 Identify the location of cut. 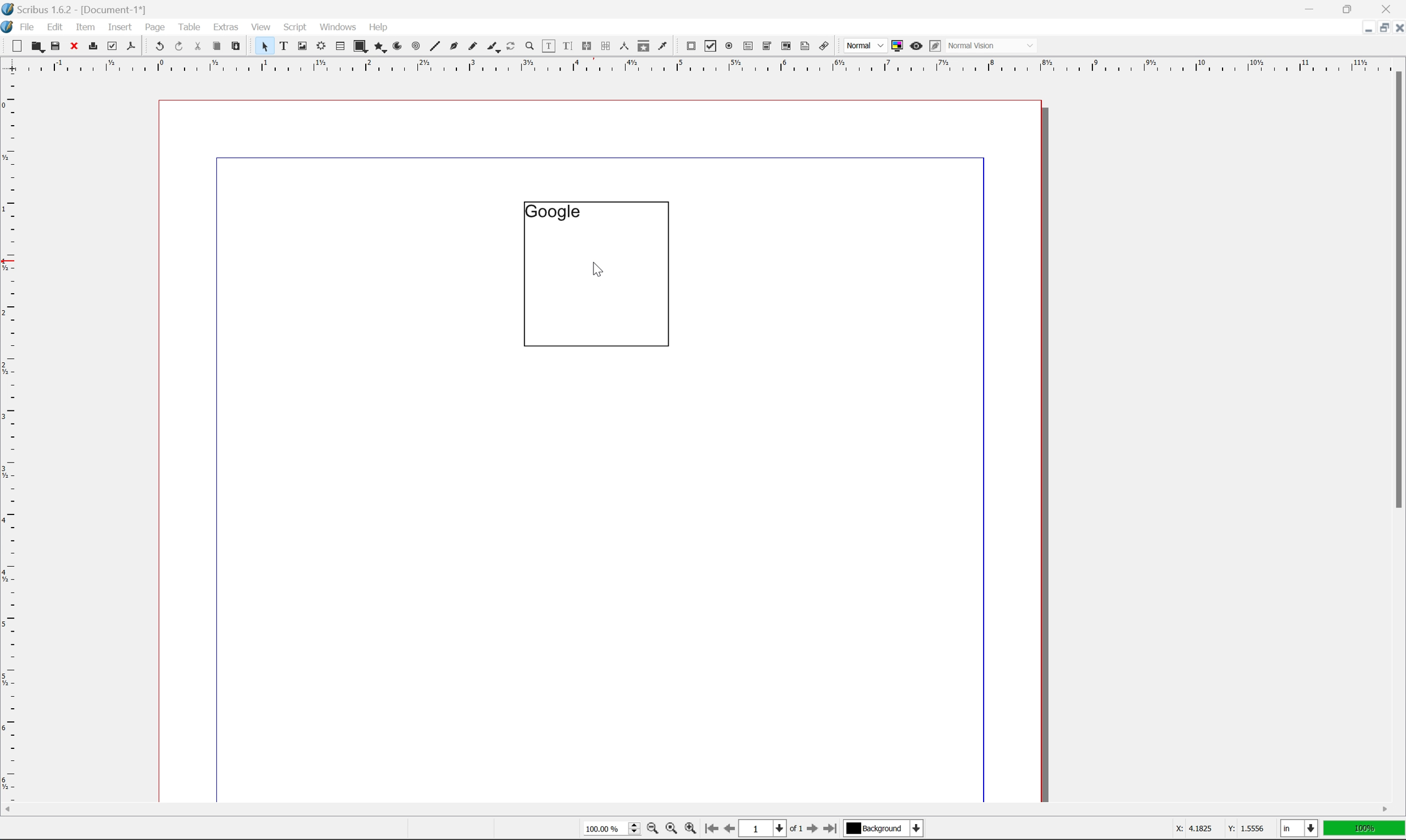
(198, 46).